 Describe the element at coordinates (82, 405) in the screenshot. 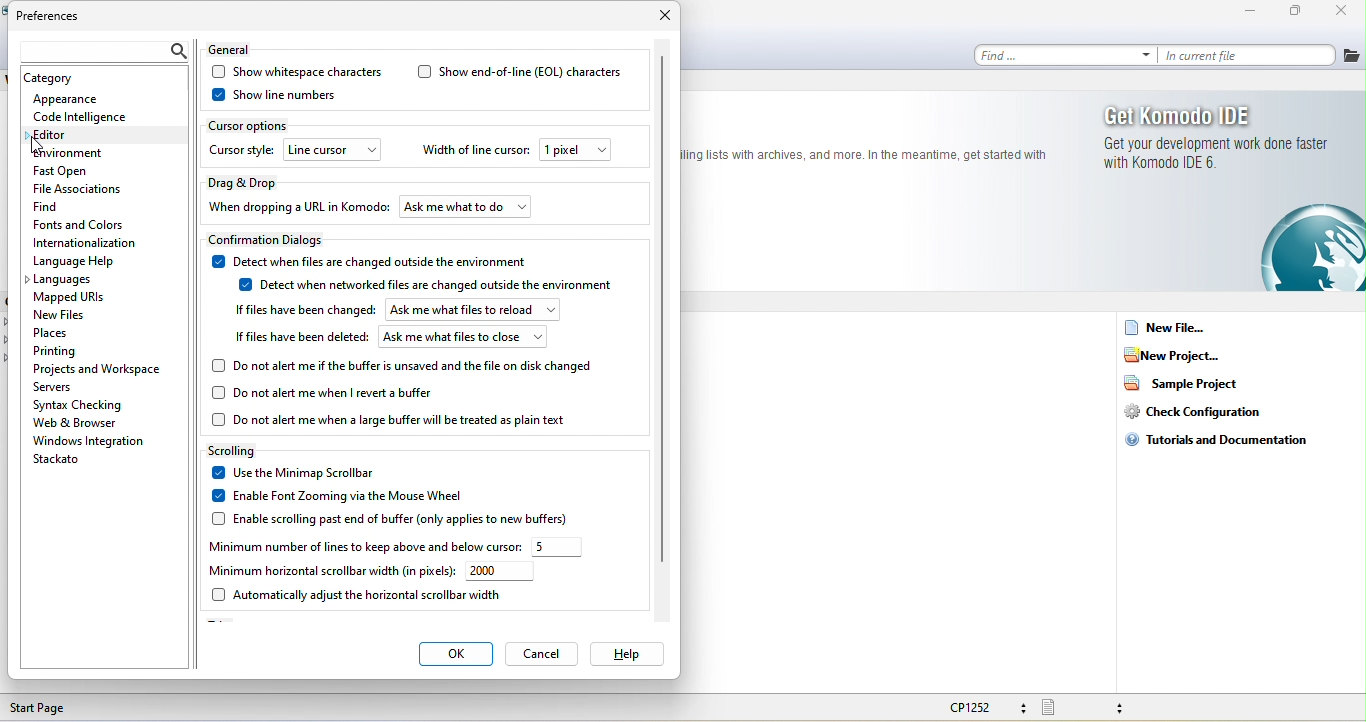

I see `syntax checking` at that location.